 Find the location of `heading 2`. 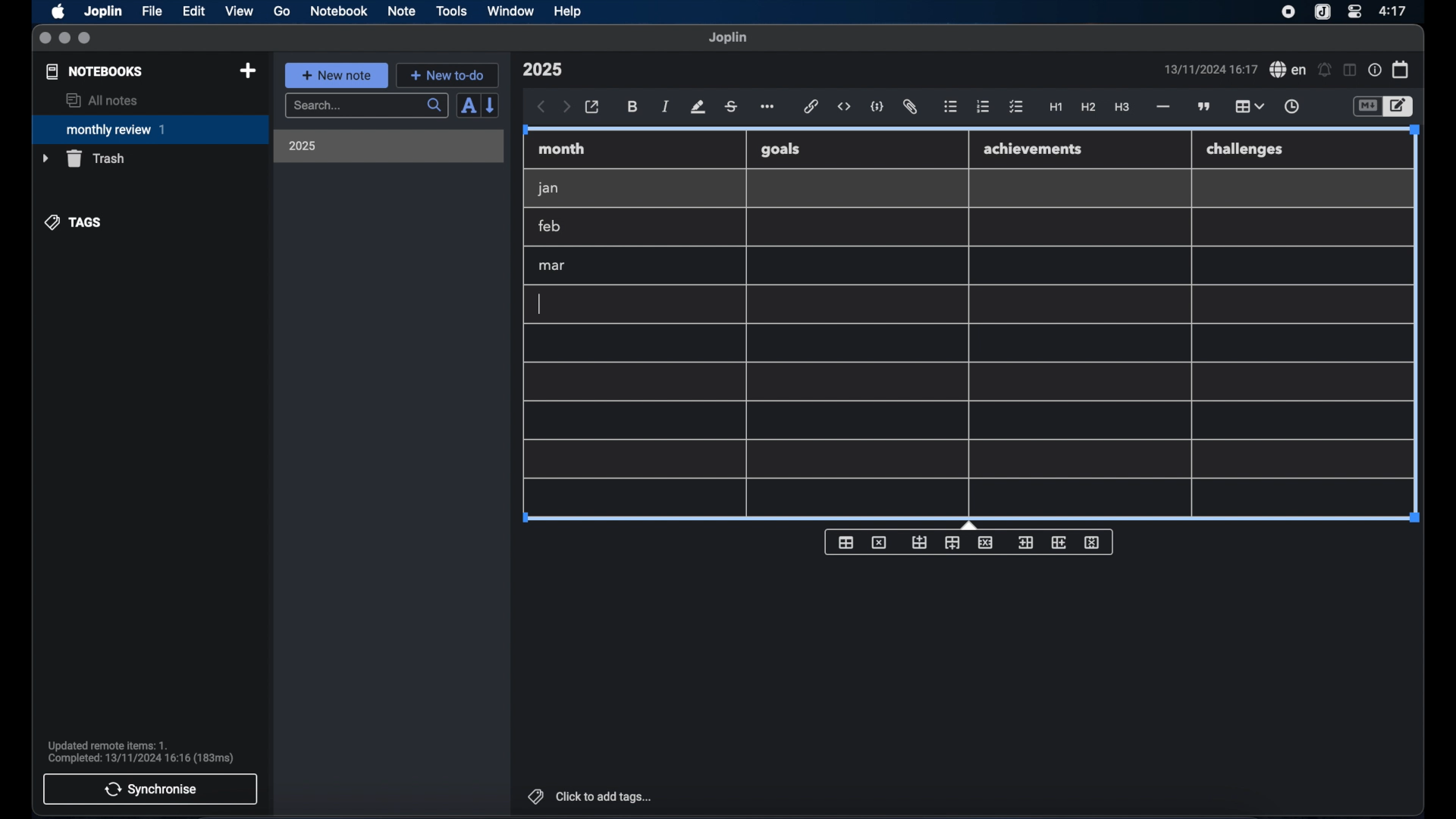

heading 2 is located at coordinates (1089, 108).